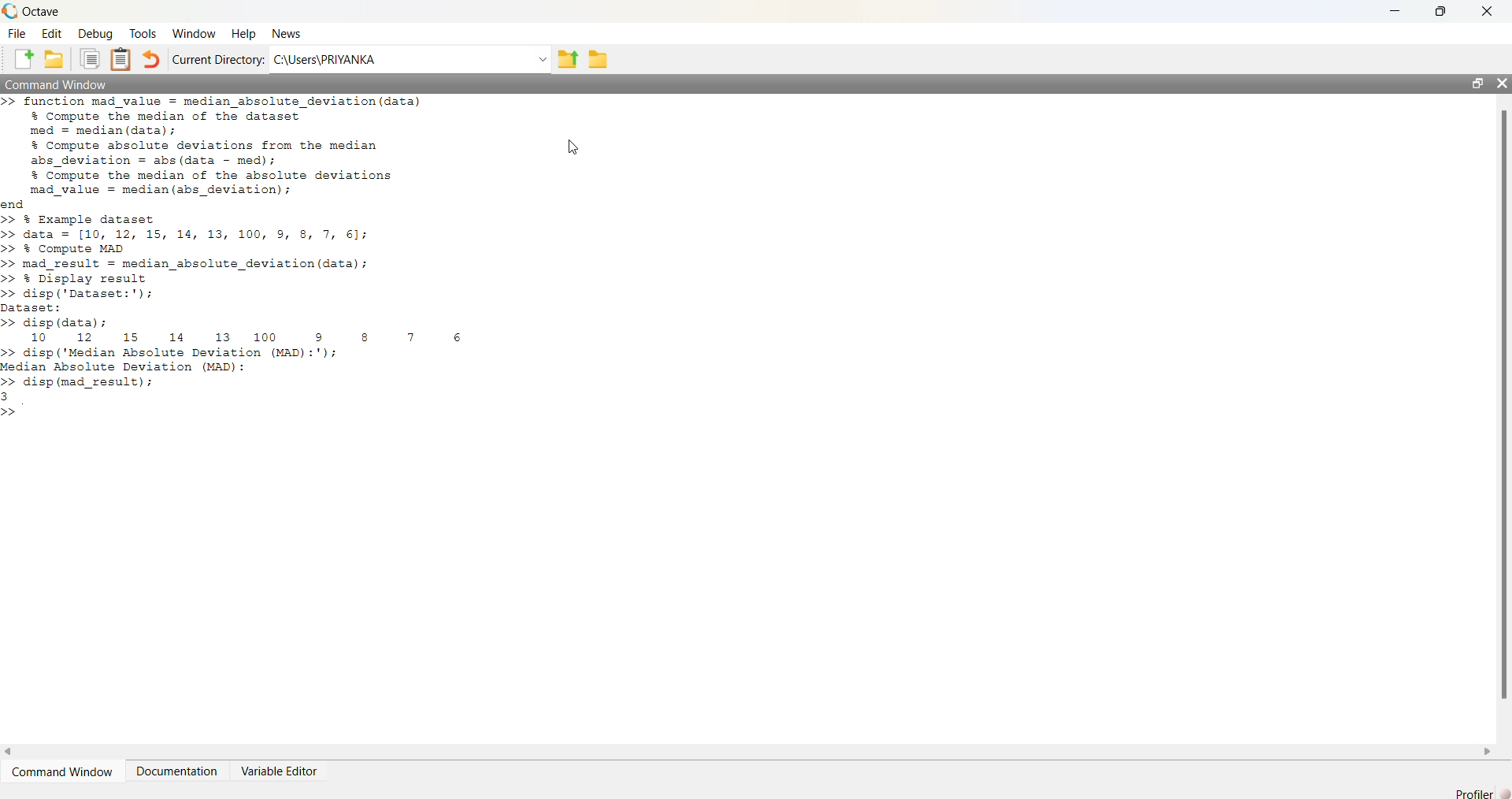  What do you see at coordinates (573, 147) in the screenshot?
I see `cursor` at bounding box center [573, 147].